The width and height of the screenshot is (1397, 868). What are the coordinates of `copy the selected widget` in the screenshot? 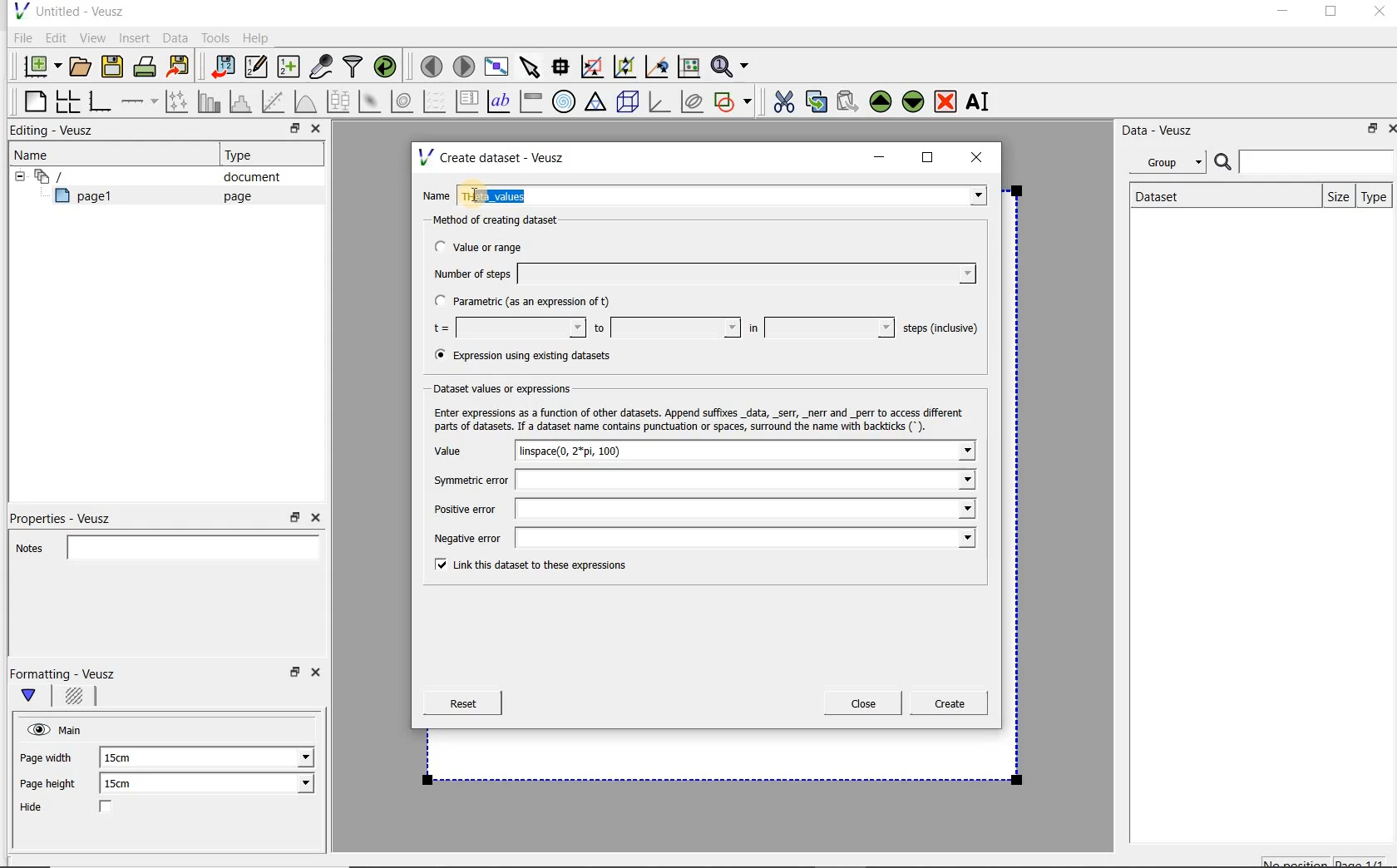 It's located at (817, 101).